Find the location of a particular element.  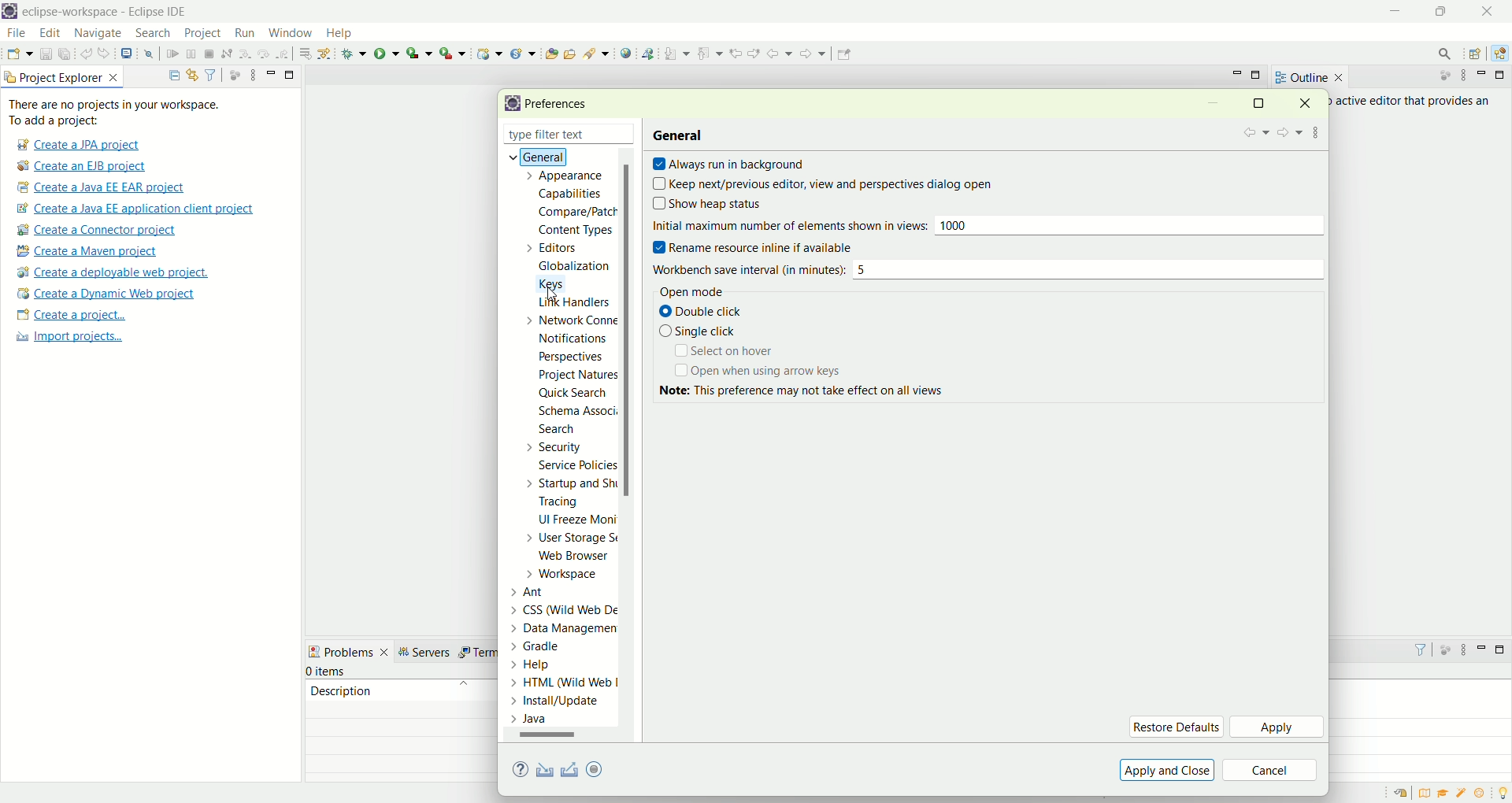

tutorials is located at coordinates (1443, 794).